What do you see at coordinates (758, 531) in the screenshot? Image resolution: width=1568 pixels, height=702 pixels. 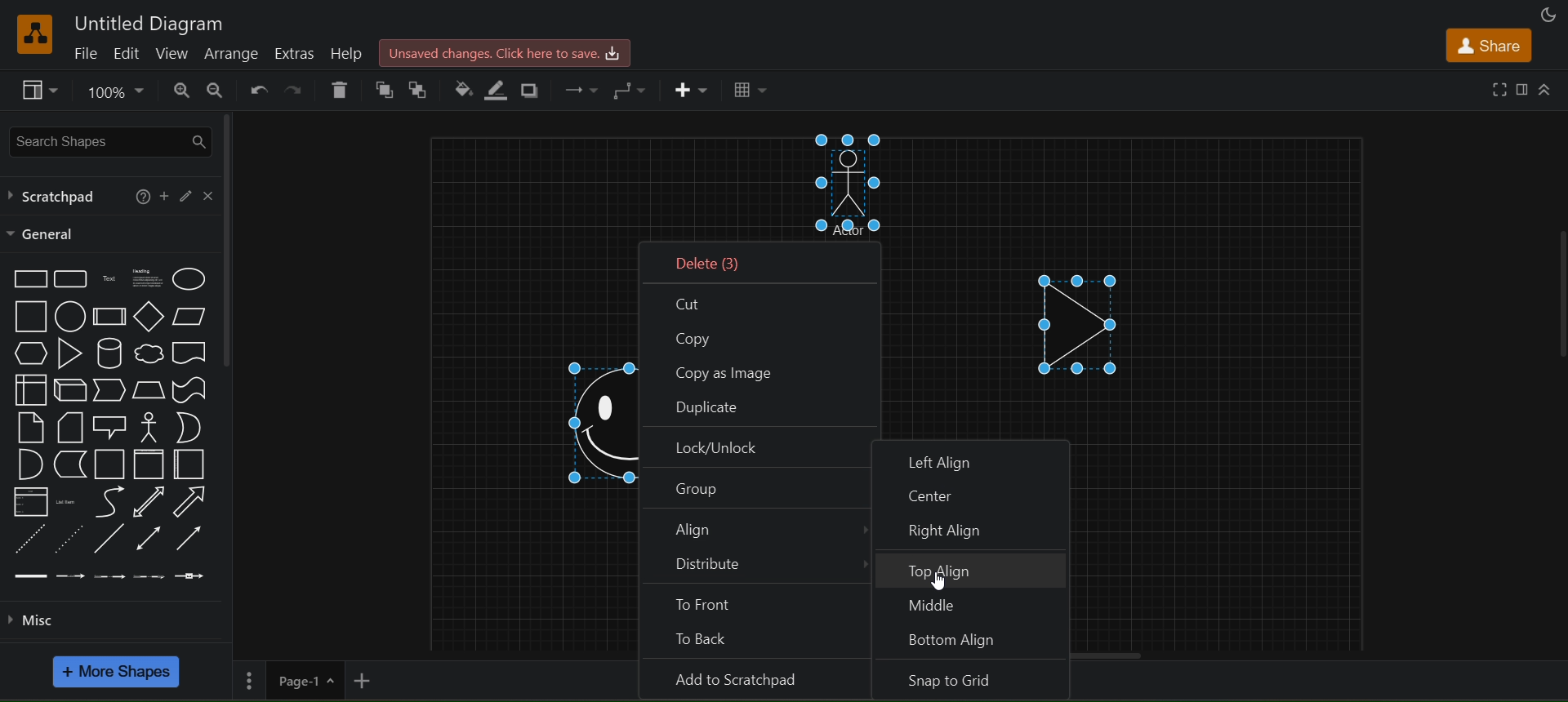 I see `align` at bounding box center [758, 531].